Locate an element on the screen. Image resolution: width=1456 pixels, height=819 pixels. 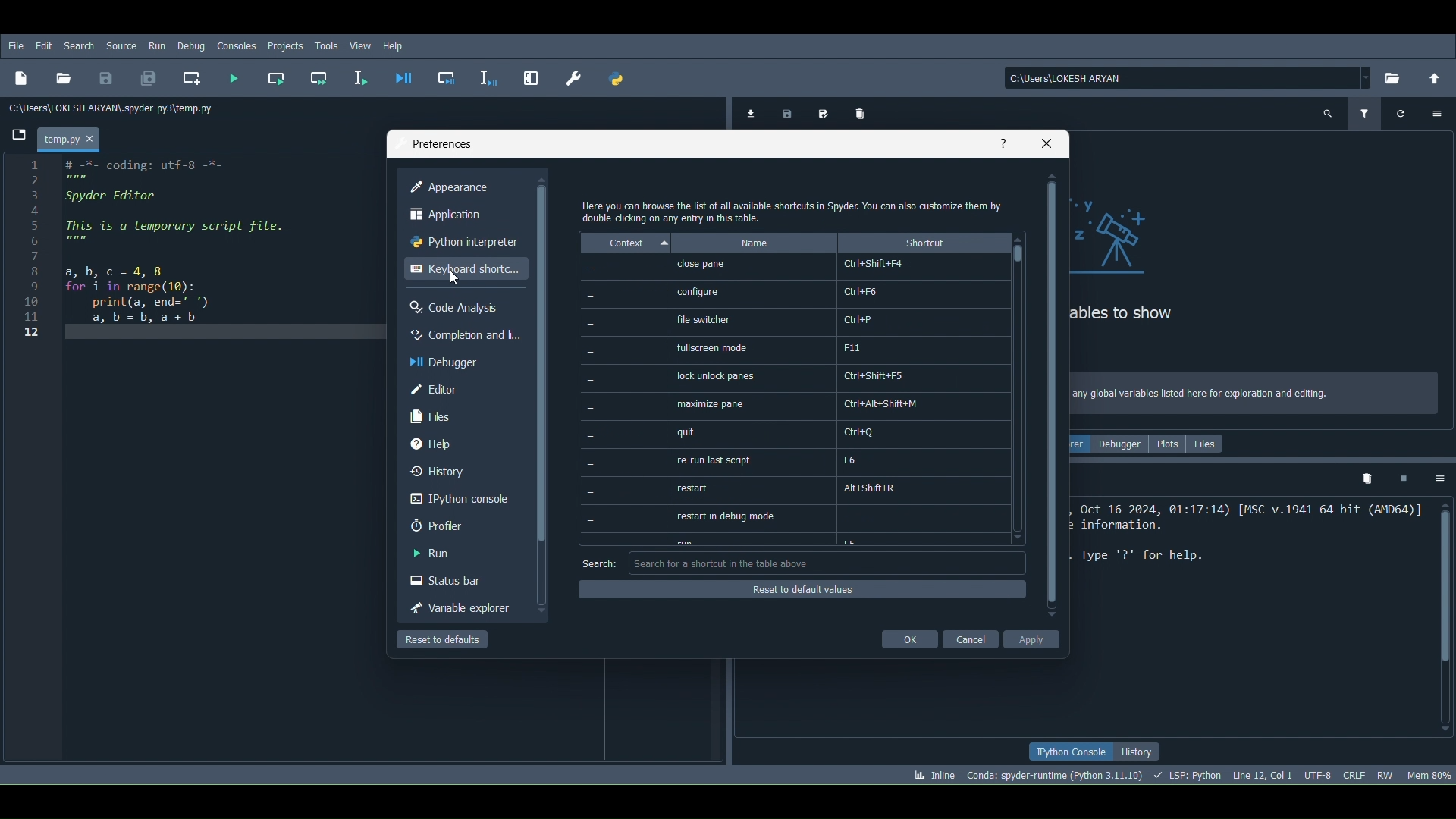
Run current cell (Ctrl + Return) is located at coordinates (276, 76).